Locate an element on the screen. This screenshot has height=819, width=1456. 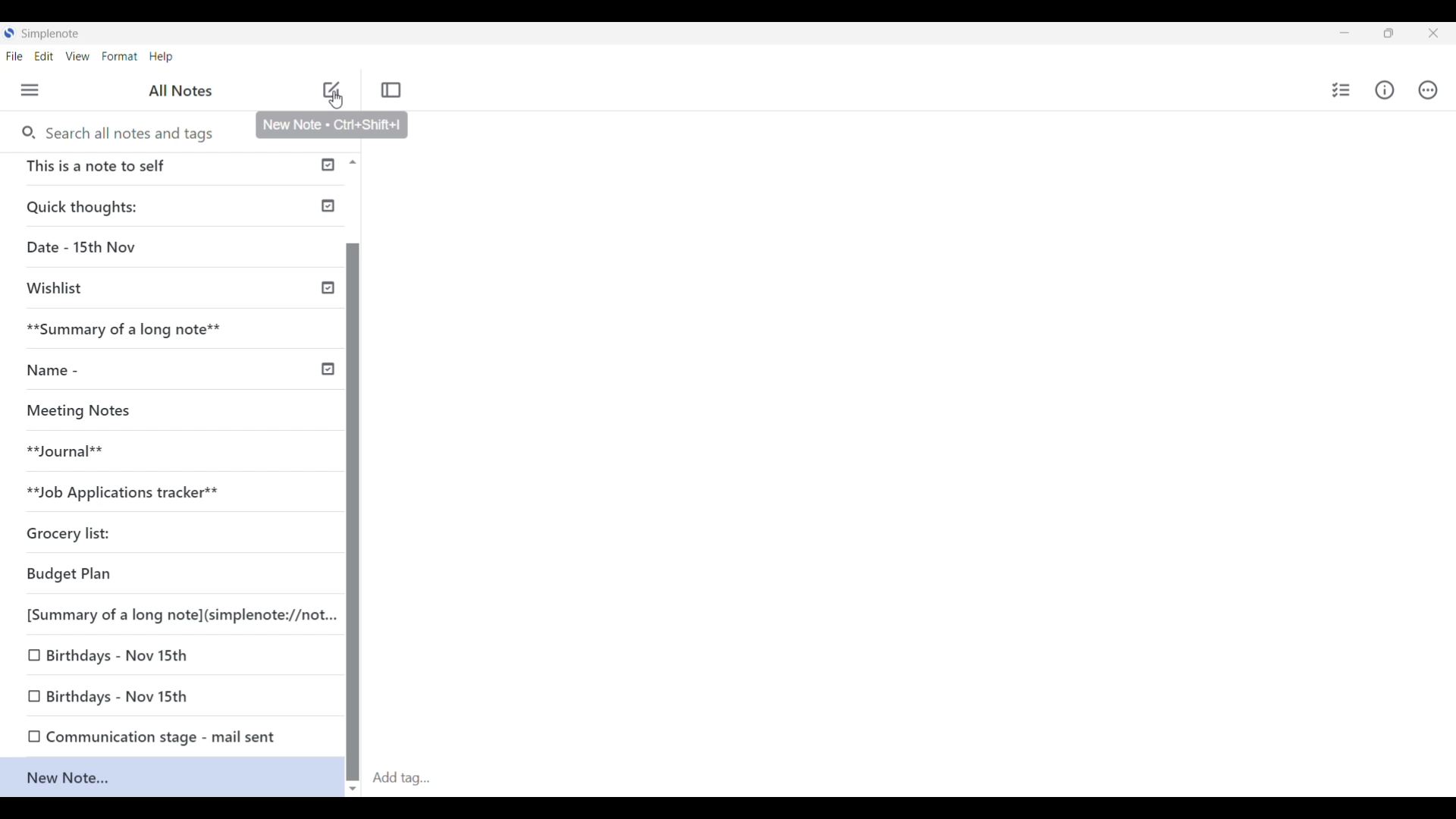
Name - is located at coordinates (91, 370).